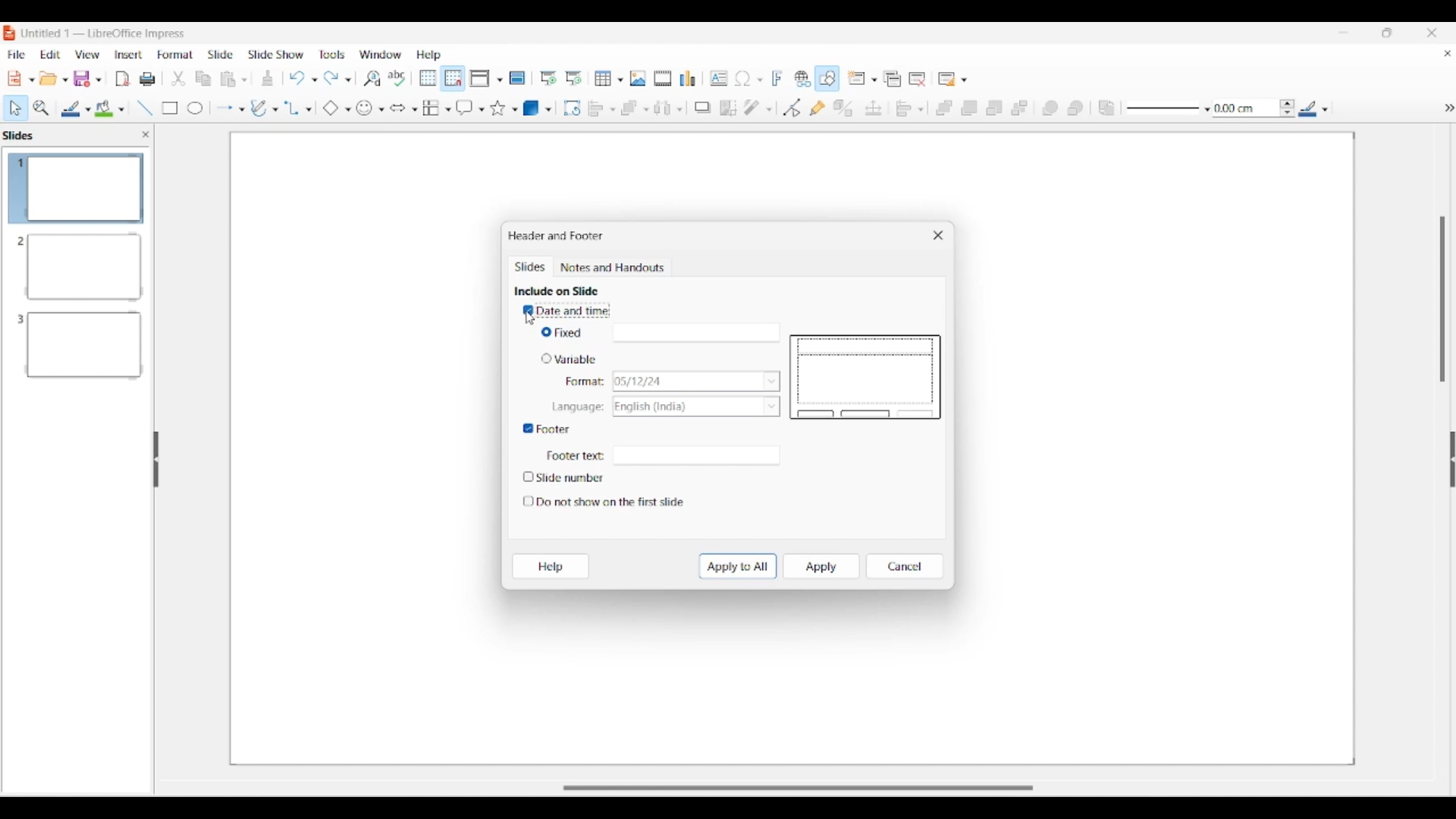  I want to click on Write, so click(260, 106).